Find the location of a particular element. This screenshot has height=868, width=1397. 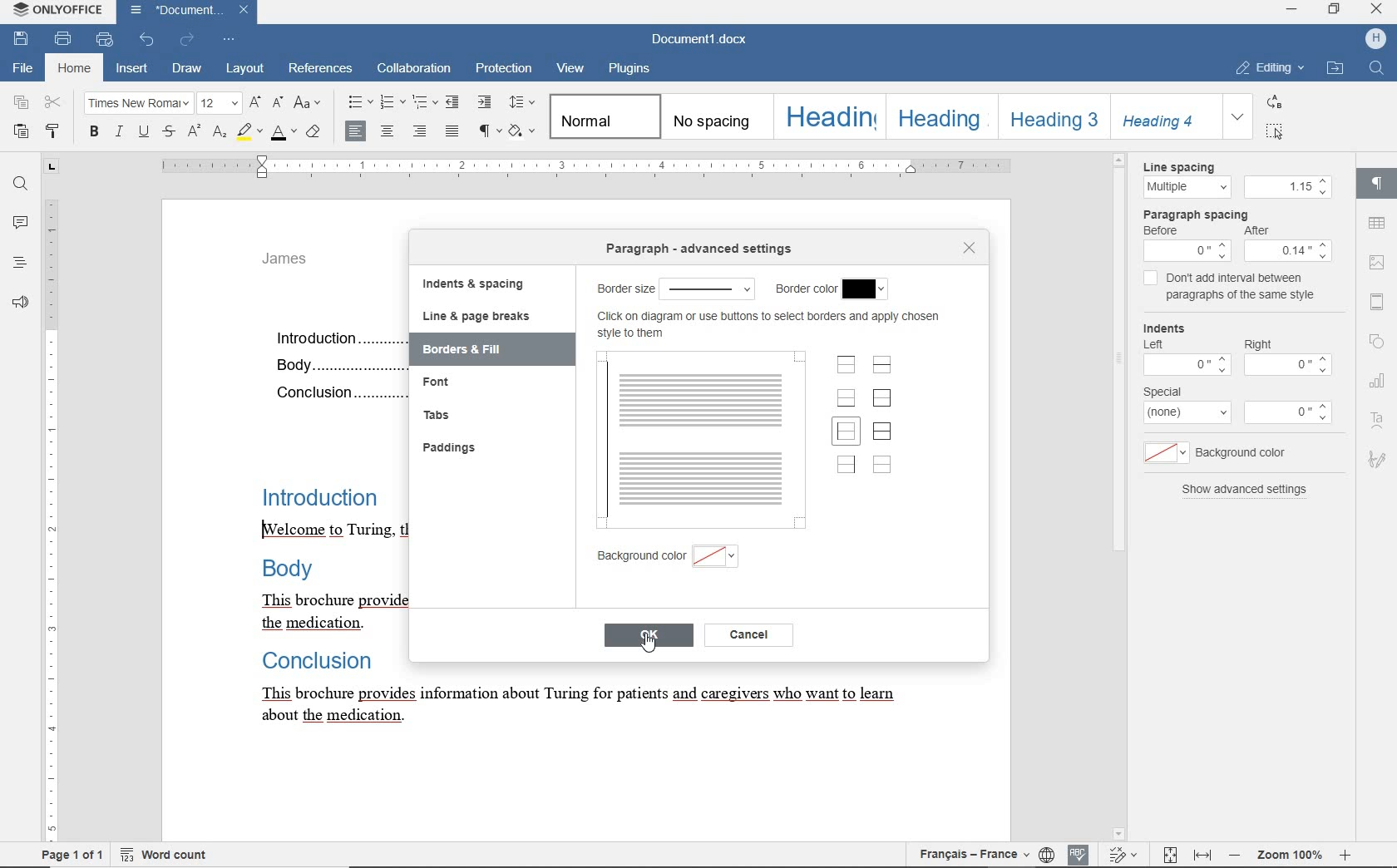

font color is located at coordinates (284, 133).